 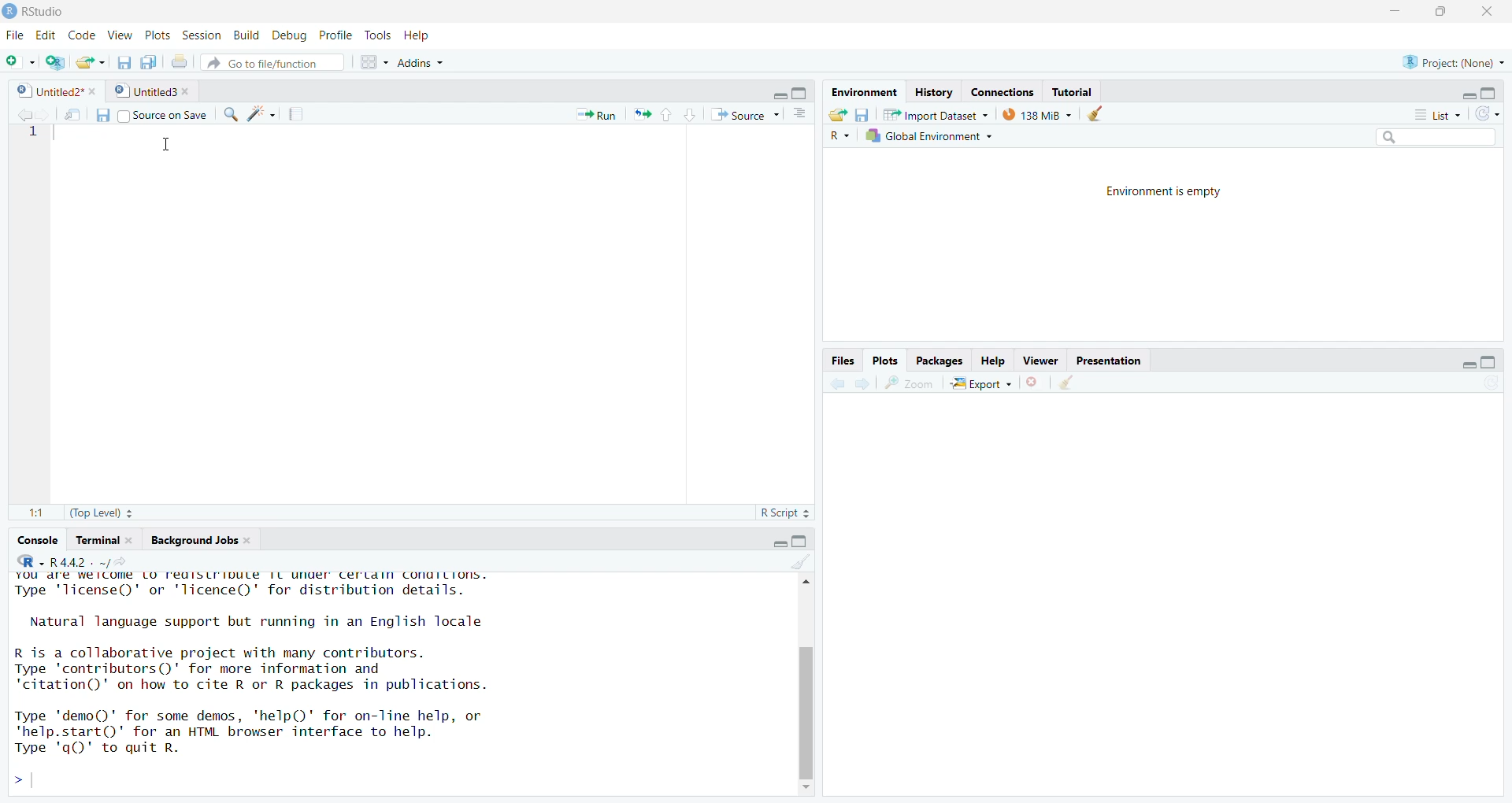 I want to click on Console, so click(x=37, y=539).